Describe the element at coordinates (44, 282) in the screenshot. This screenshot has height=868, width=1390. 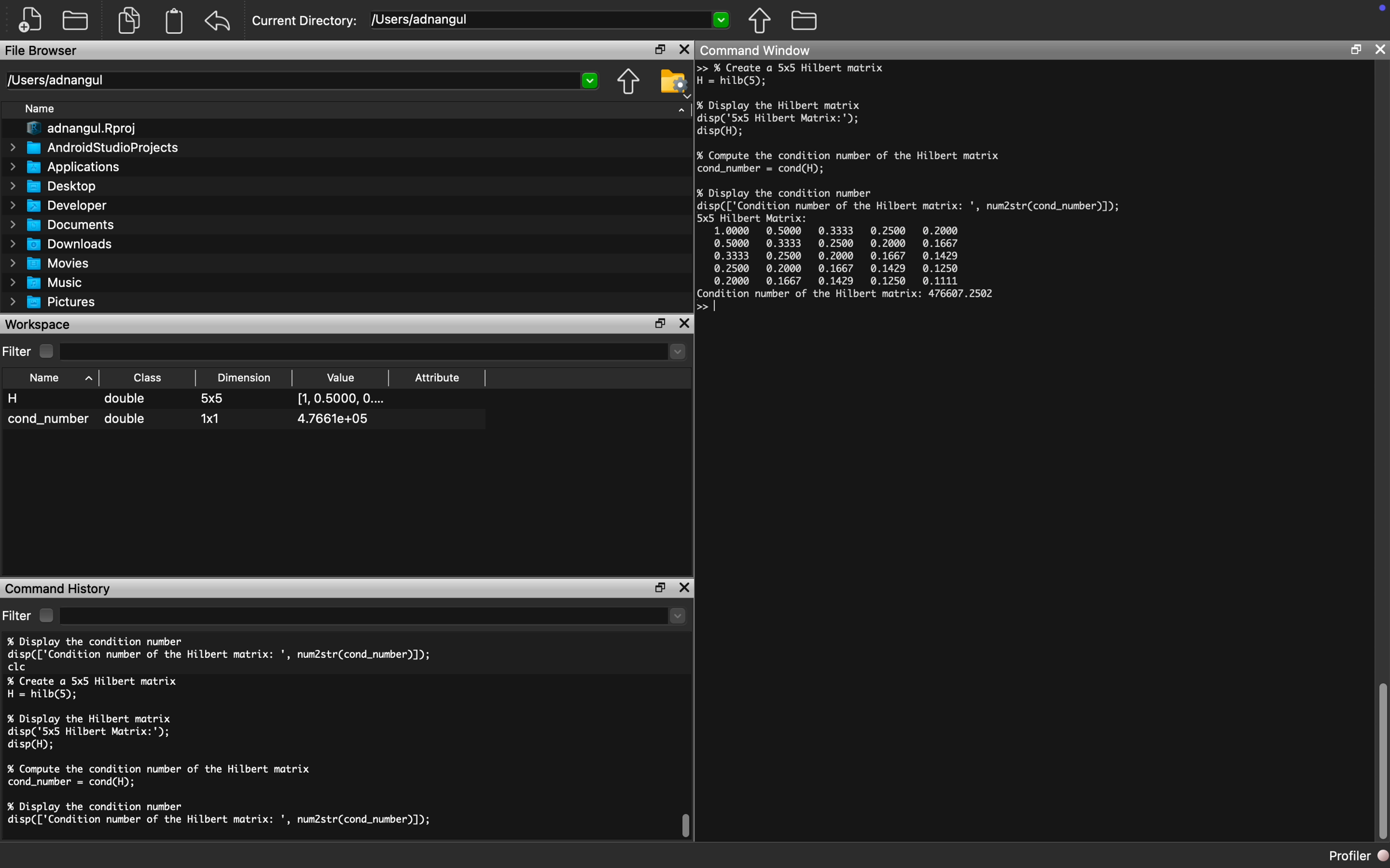
I see `Music` at that location.